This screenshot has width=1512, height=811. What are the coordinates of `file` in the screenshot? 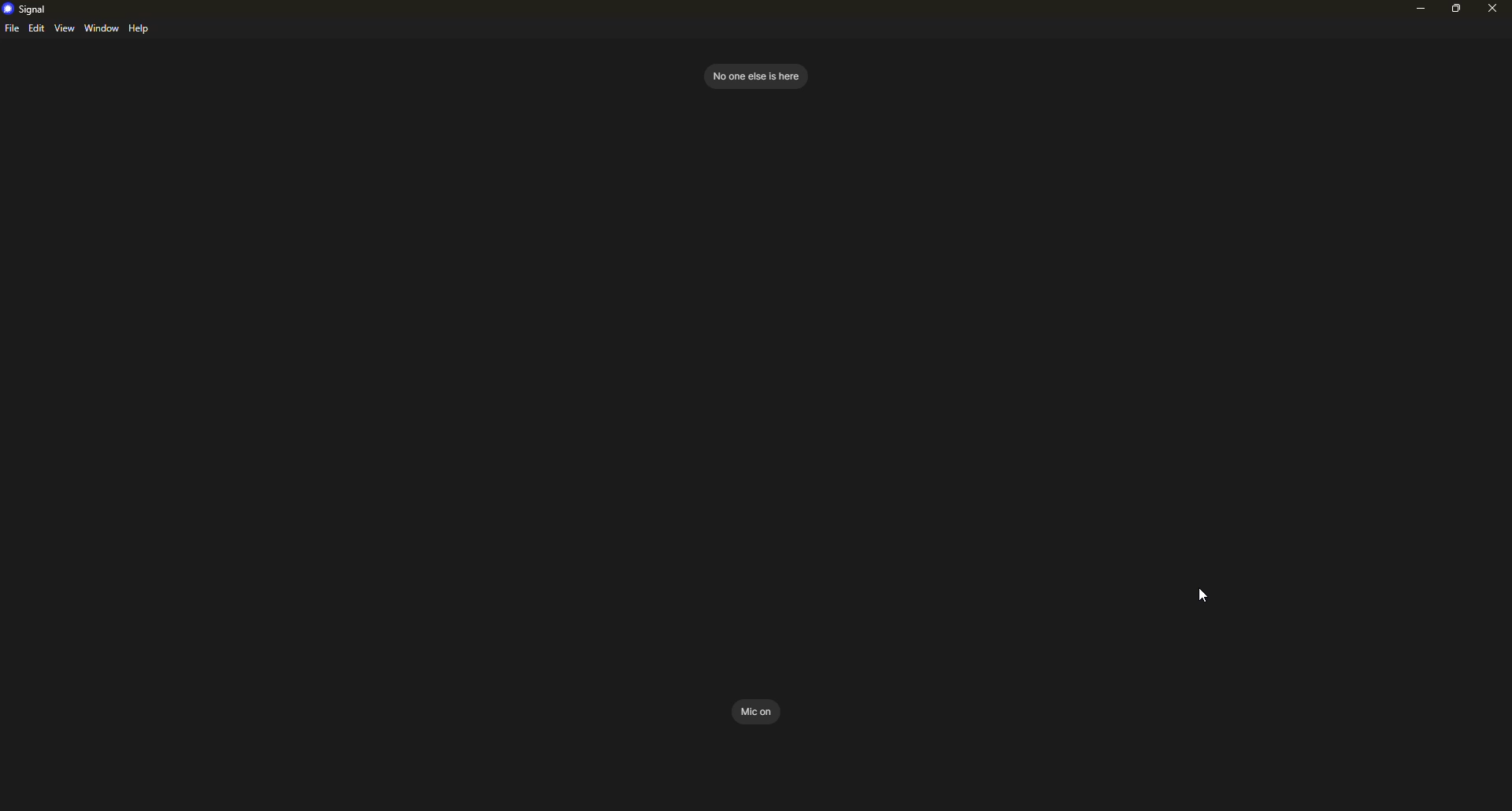 It's located at (12, 30).